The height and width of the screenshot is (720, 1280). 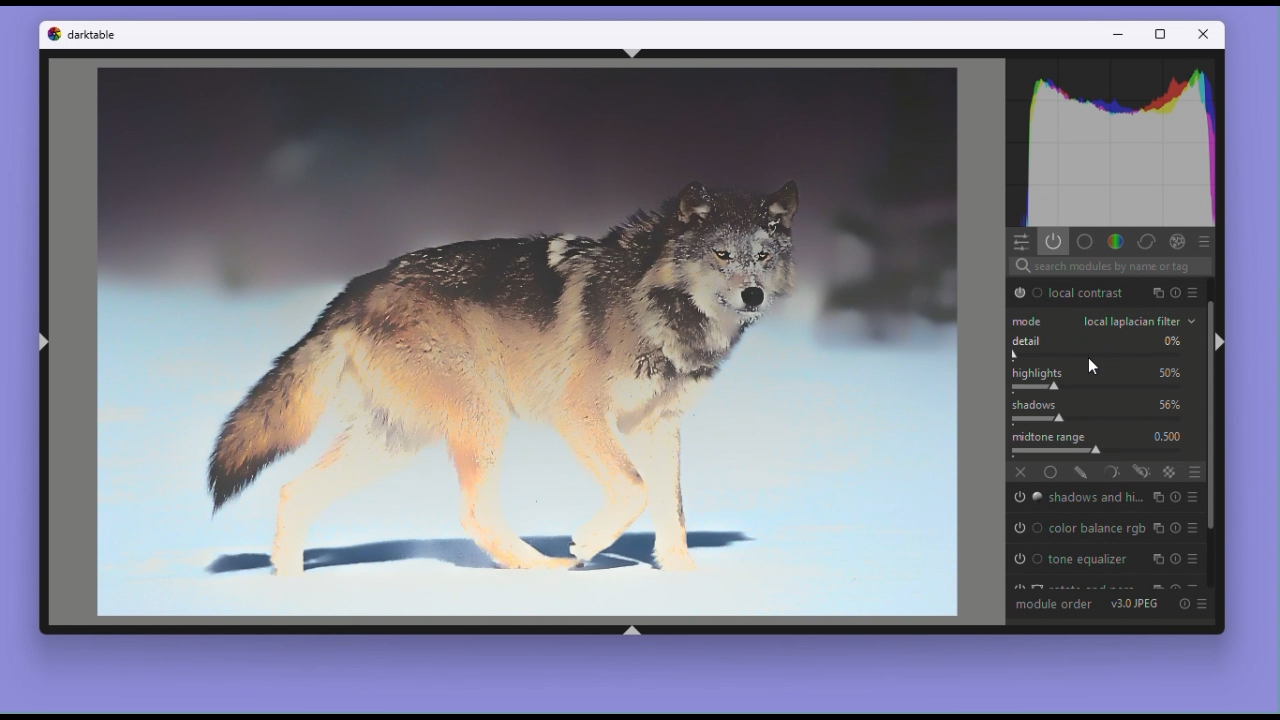 What do you see at coordinates (96, 34) in the screenshot?
I see `darktable` at bounding box center [96, 34].